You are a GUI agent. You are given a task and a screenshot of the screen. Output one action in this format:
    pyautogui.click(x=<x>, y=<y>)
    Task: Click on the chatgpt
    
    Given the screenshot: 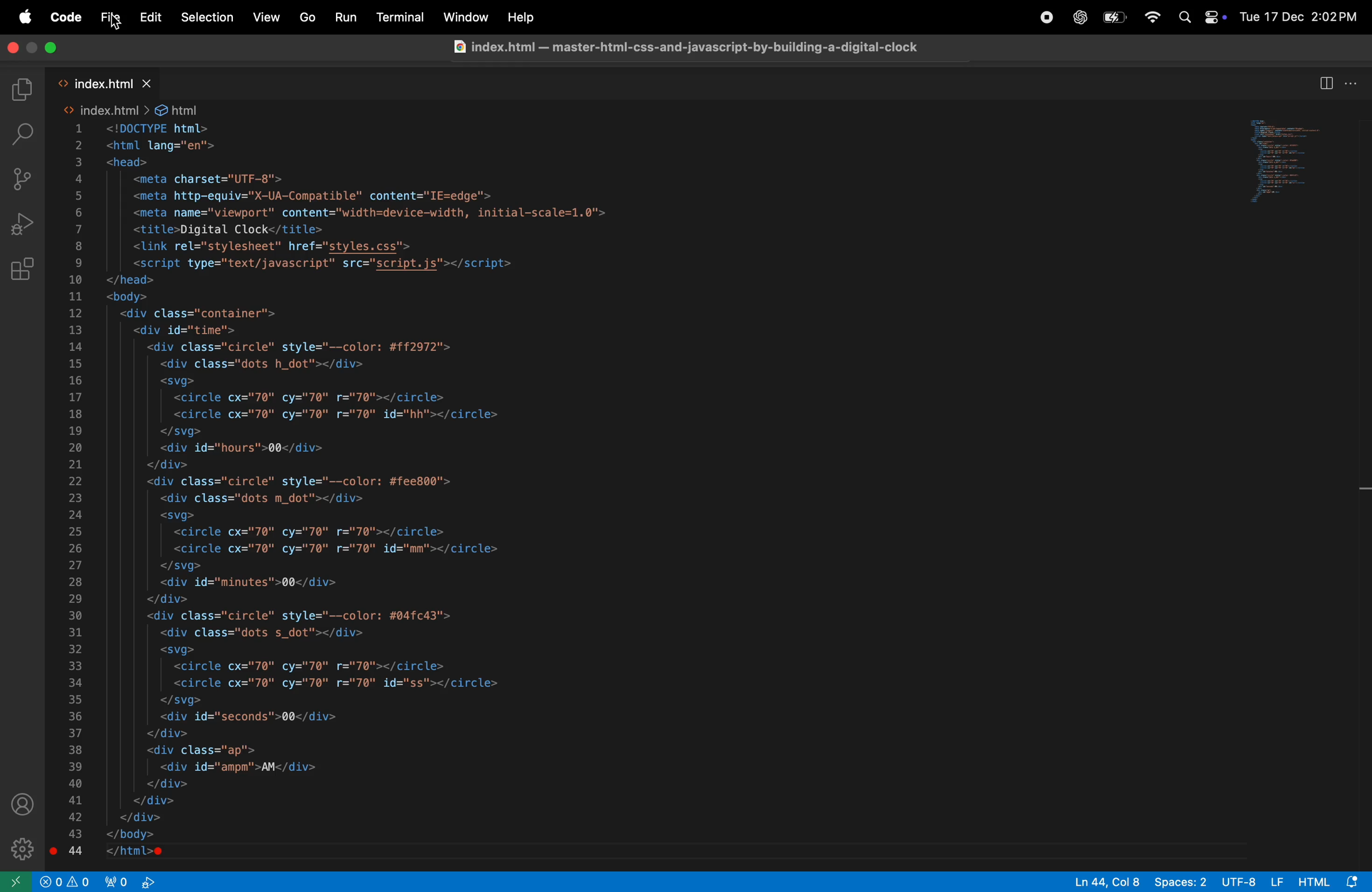 What is the action you would take?
    pyautogui.click(x=1076, y=17)
    